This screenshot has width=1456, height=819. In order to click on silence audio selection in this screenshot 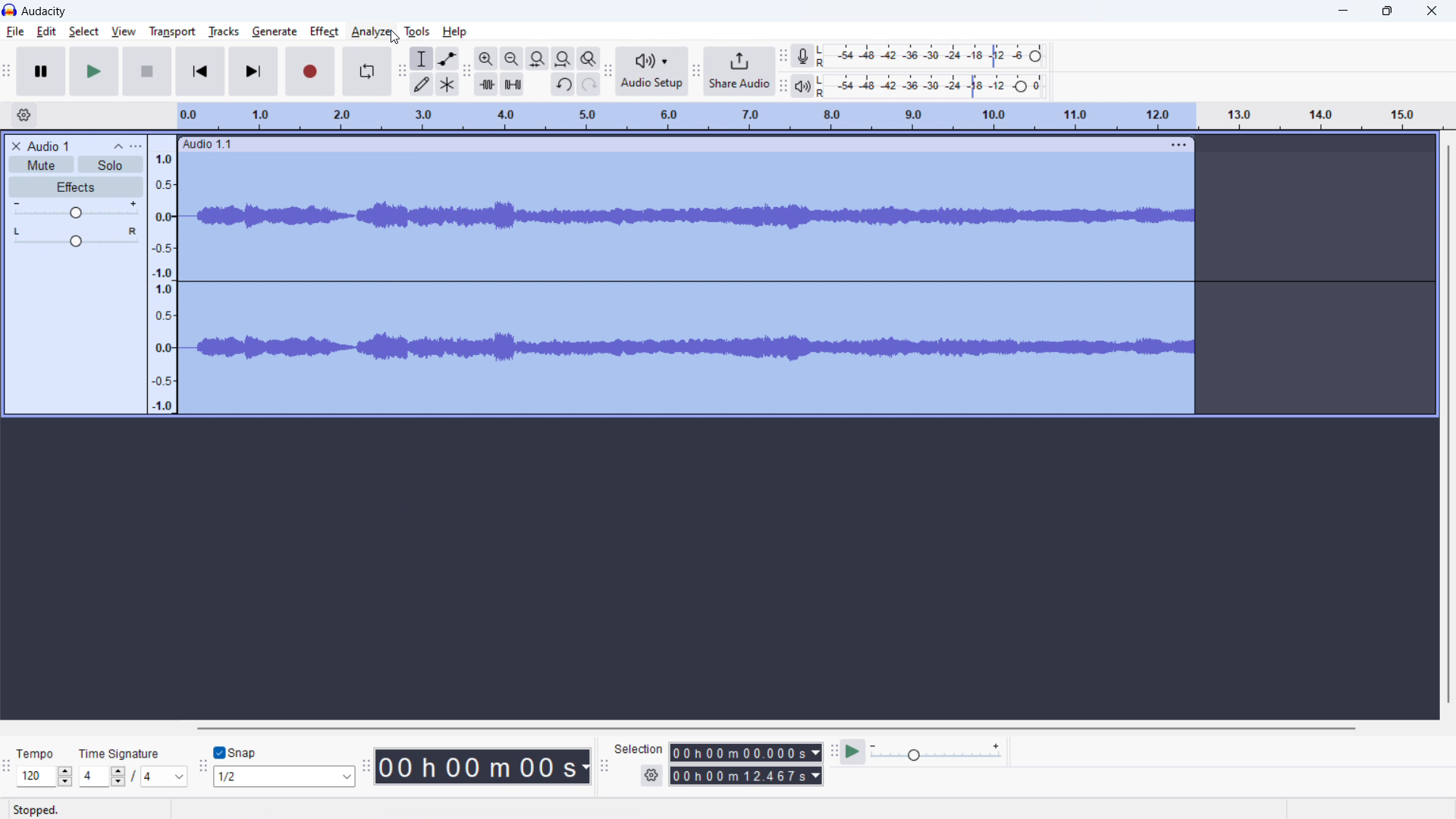, I will do `click(513, 83)`.